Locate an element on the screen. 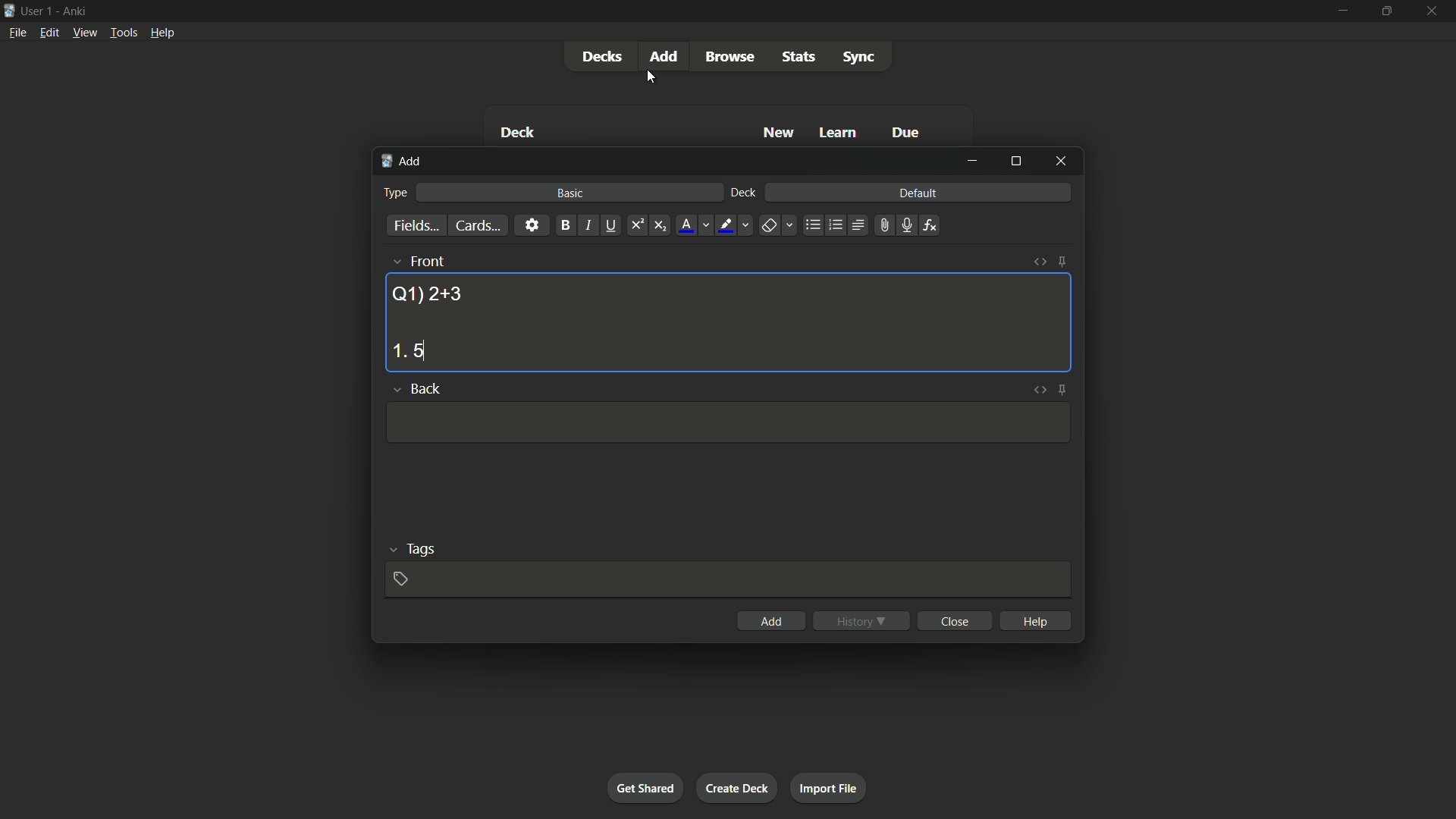 The width and height of the screenshot is (1456, 819). learn is located at coordinates (838, 133).